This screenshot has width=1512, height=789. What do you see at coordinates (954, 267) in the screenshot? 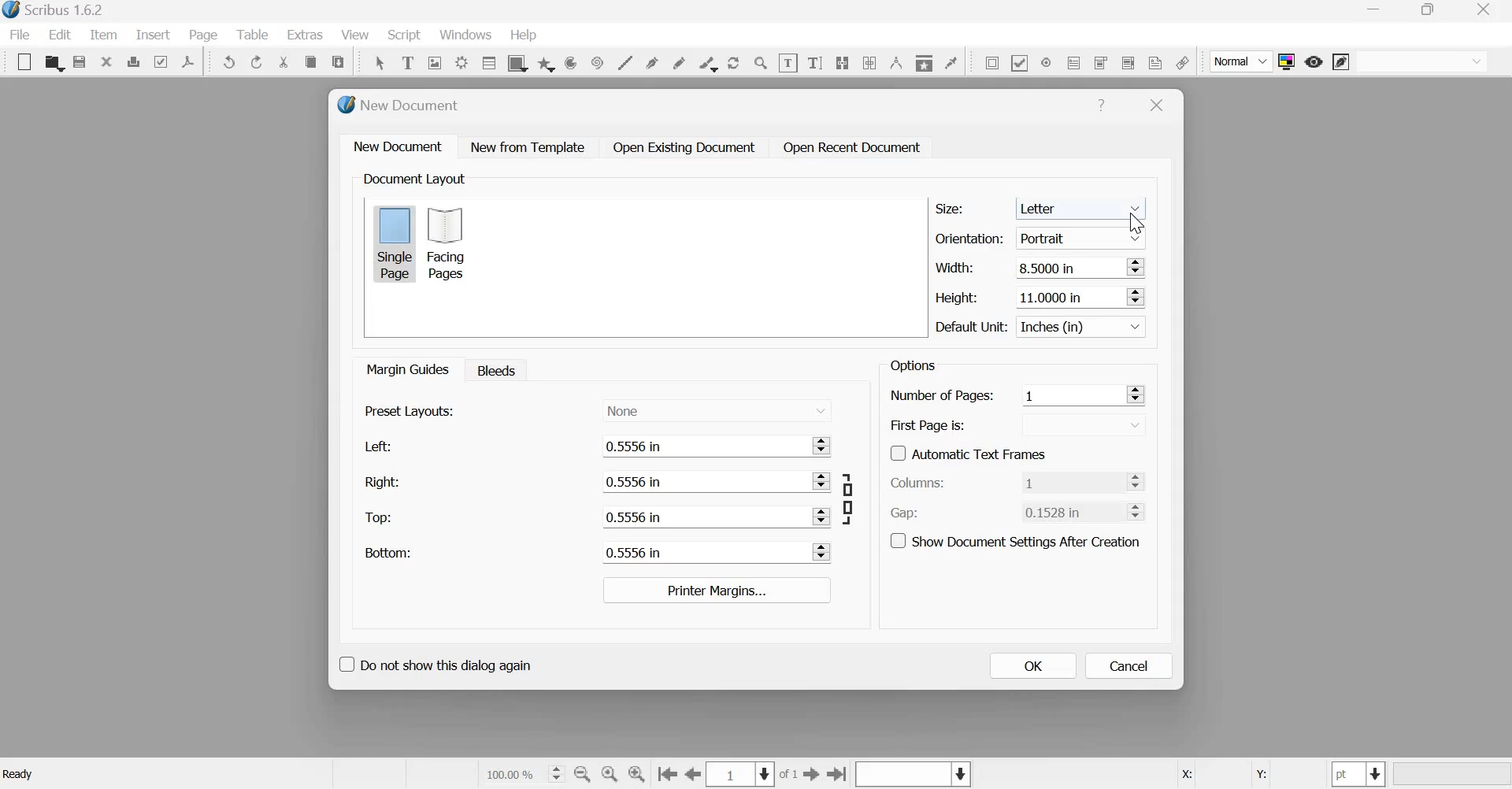
I see `Width: ` at bounding box center [954, 267].